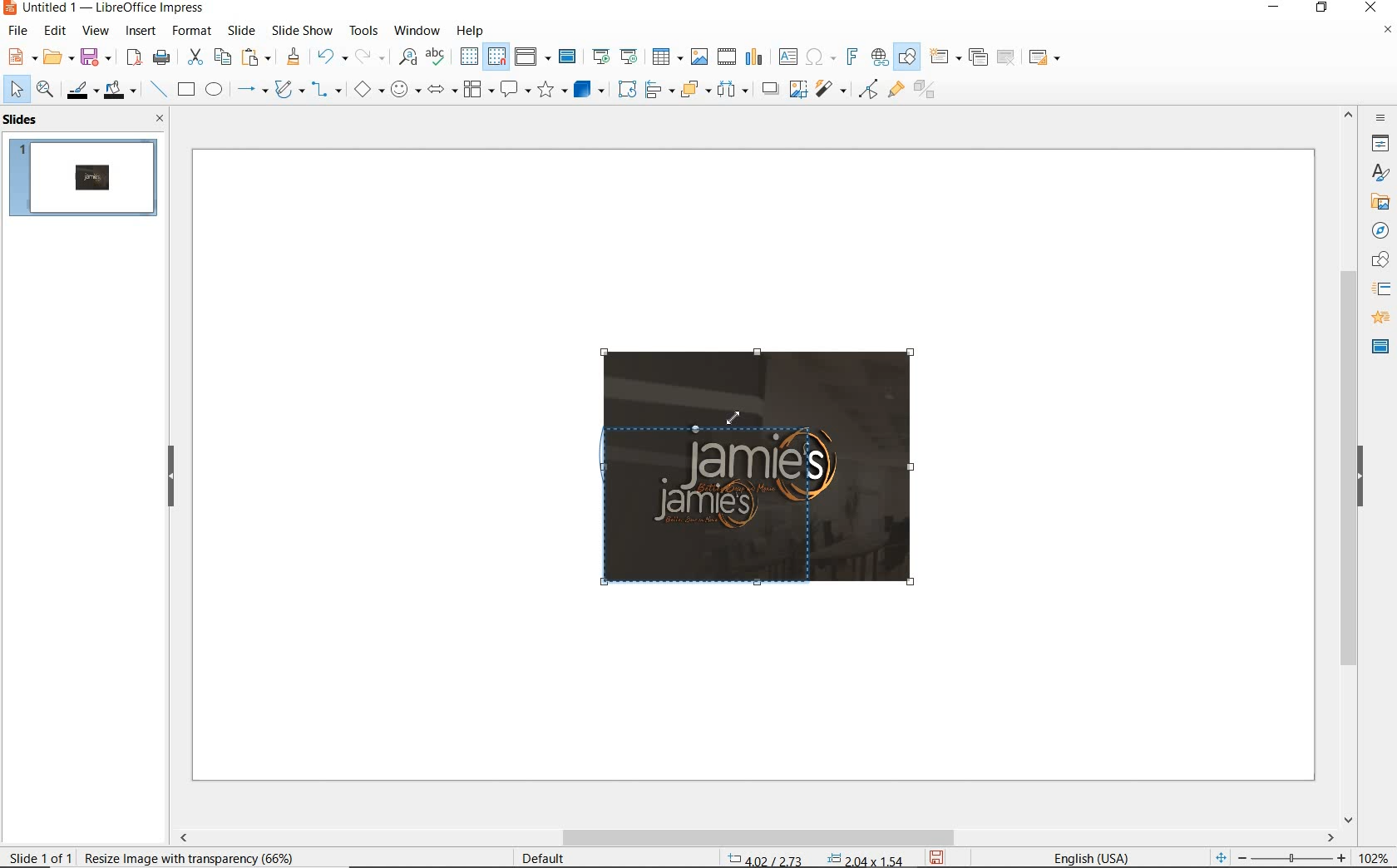  What do you see at coordinates (1379, 118) in the screenshot?
I see `sidebar settings` at bounding box center [1379, 118].